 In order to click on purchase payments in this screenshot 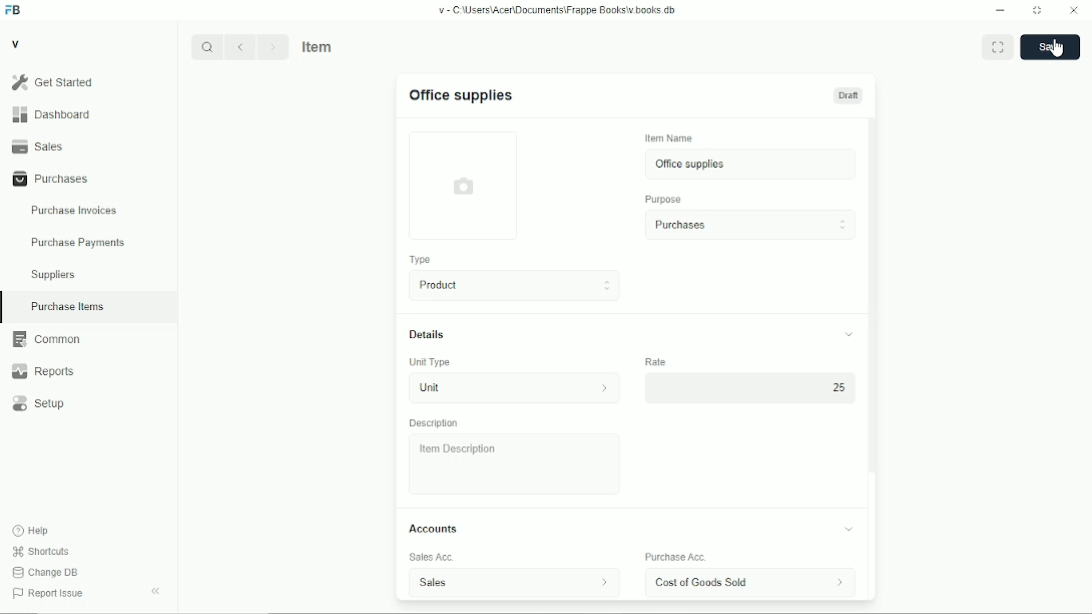, I will do `click(77, 243)`.